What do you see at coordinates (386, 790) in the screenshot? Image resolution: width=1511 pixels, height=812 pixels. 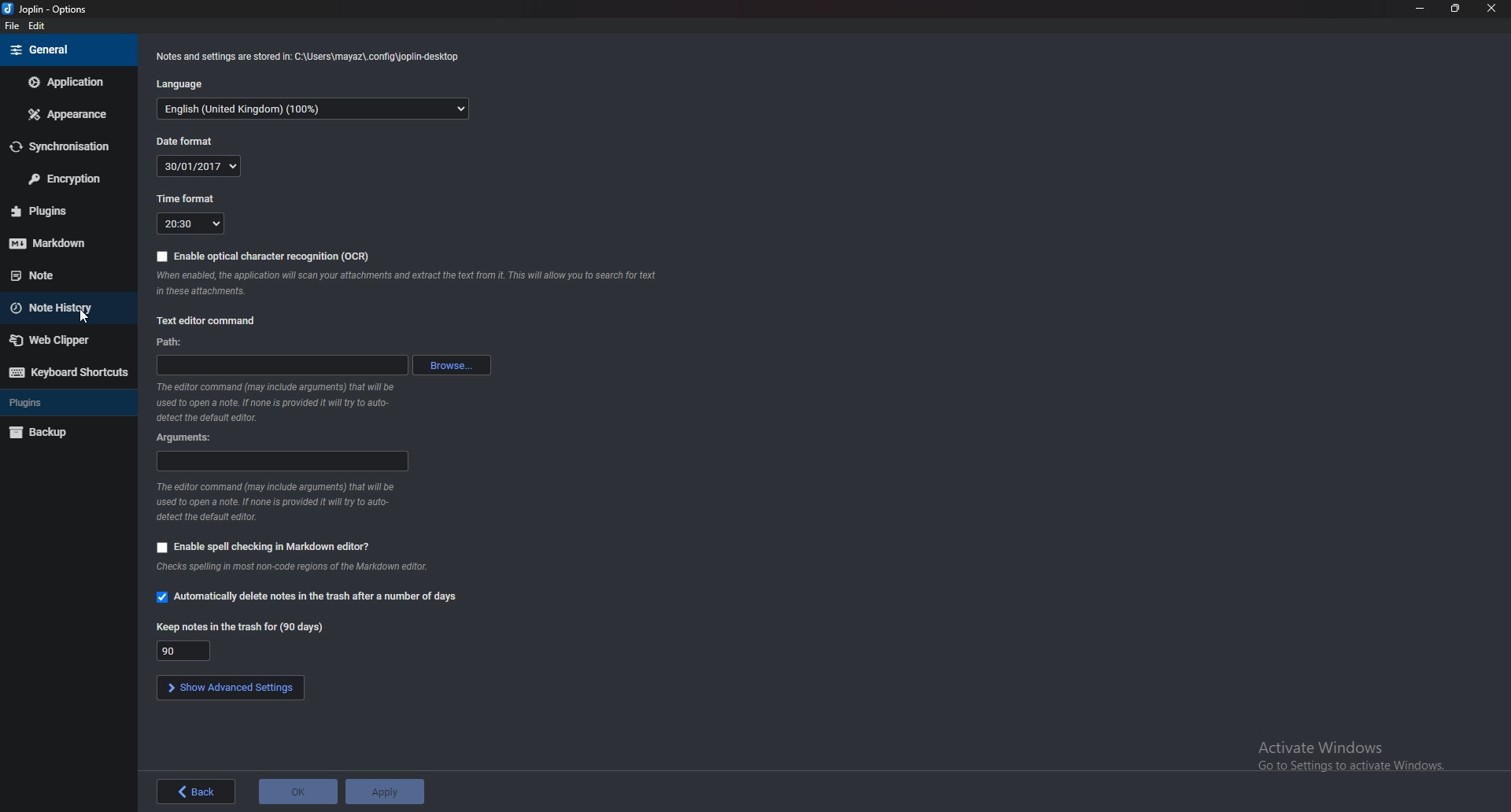 I see `apply` at bounding box center [386, 790].